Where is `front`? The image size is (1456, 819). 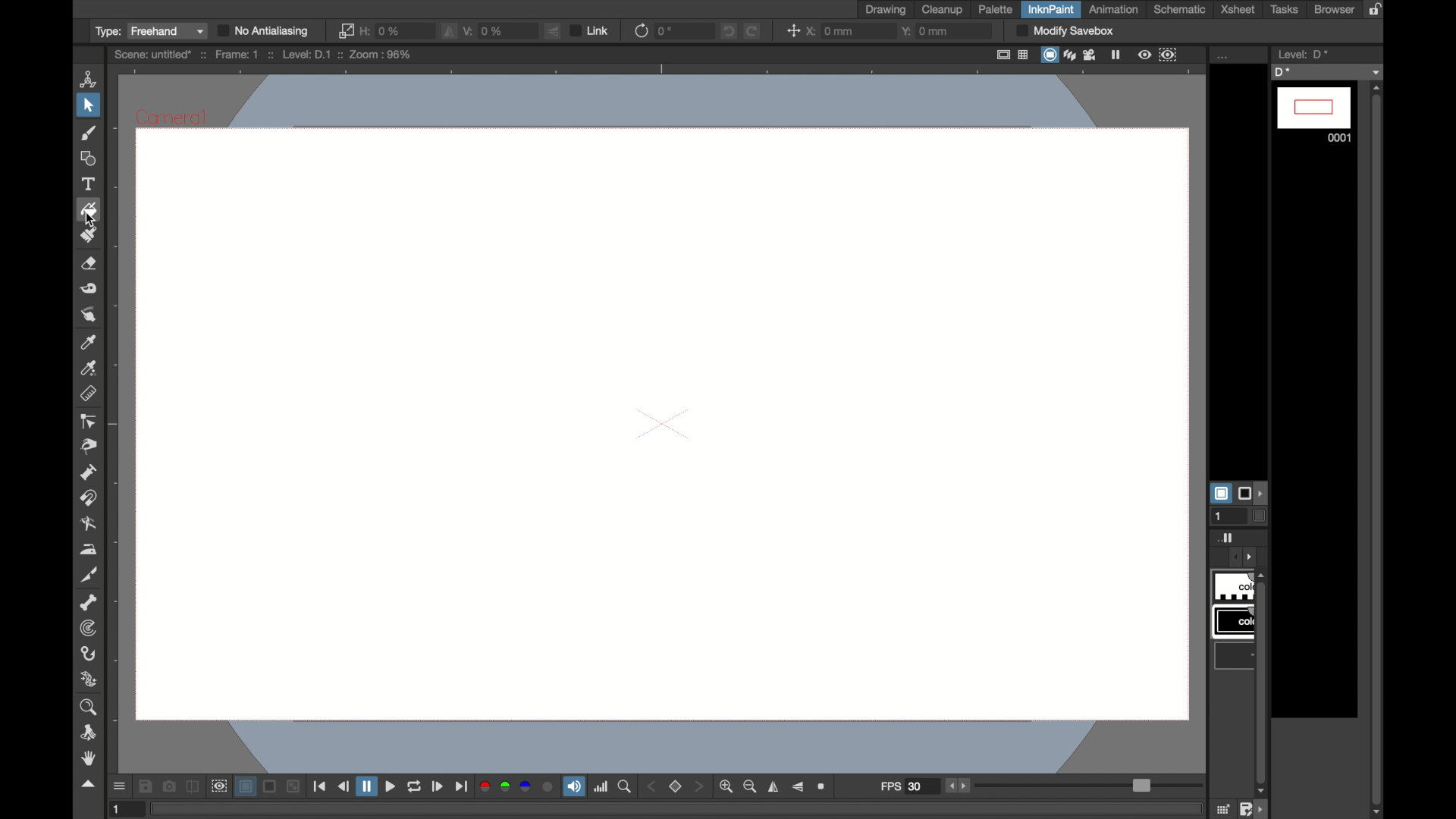 front is located at coordinates (703, 786).